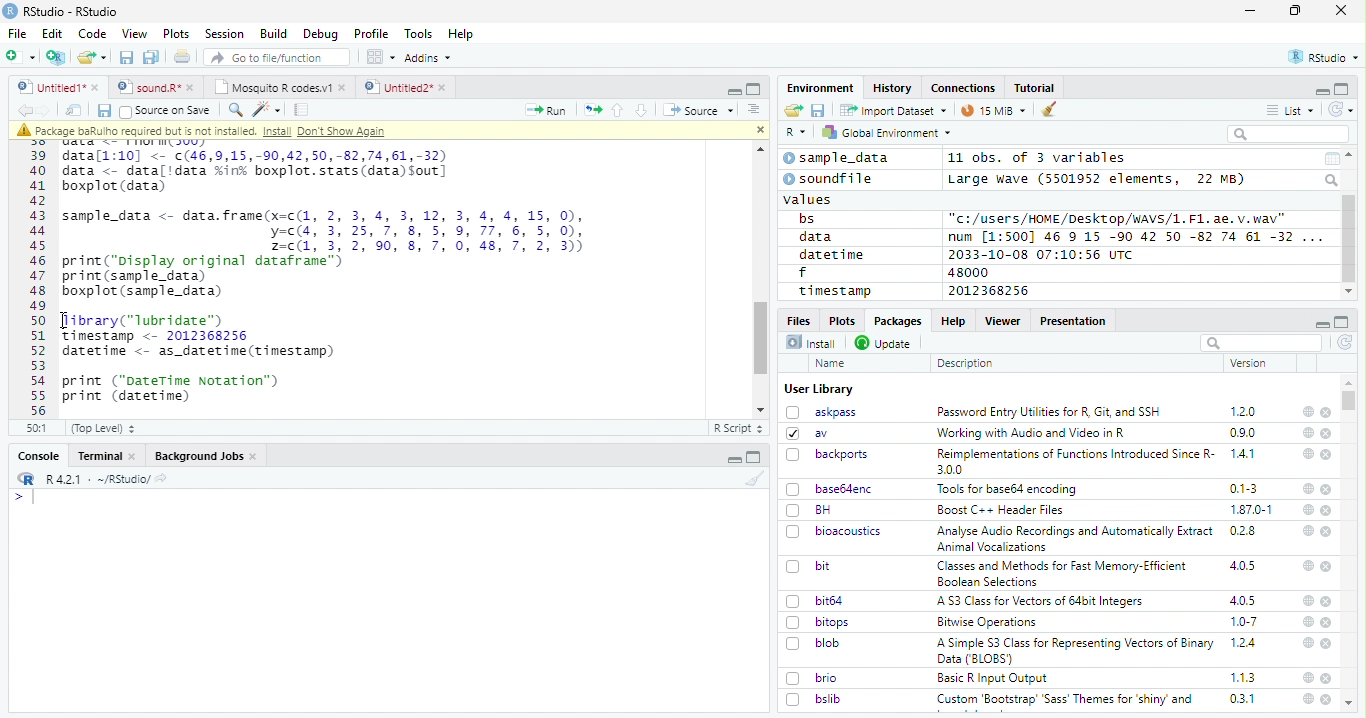 The image size is (1366, 718). Describe the element at coordinates (1328, 510) in the screenshot. I see `close` at that location.